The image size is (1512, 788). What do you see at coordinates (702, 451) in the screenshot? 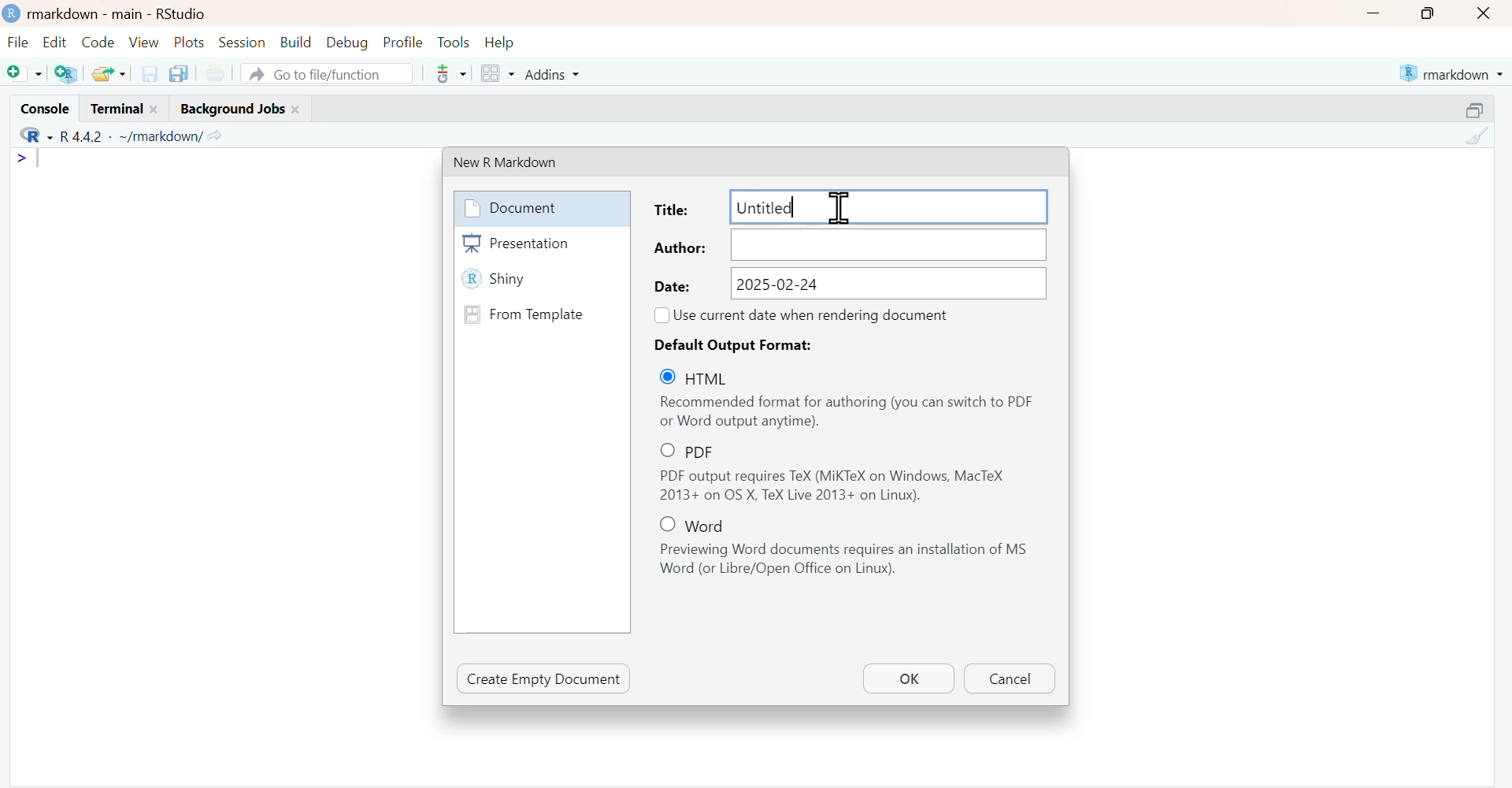
I see `PDF` at bounding box center [702, 451].